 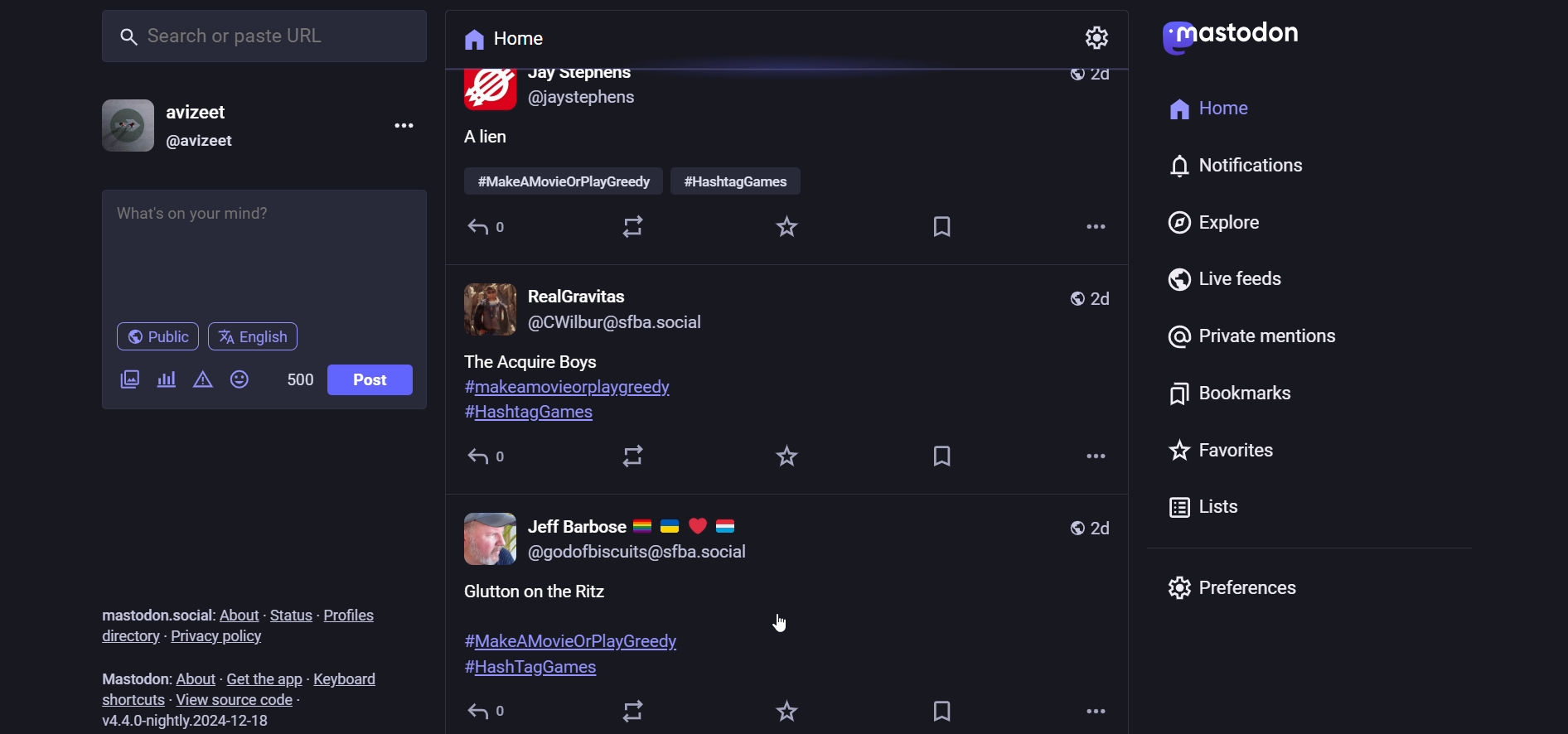 What do you see at coordinates (351, 613) in the screenshot?
I see `profiles` at bounding box center [351, 613].